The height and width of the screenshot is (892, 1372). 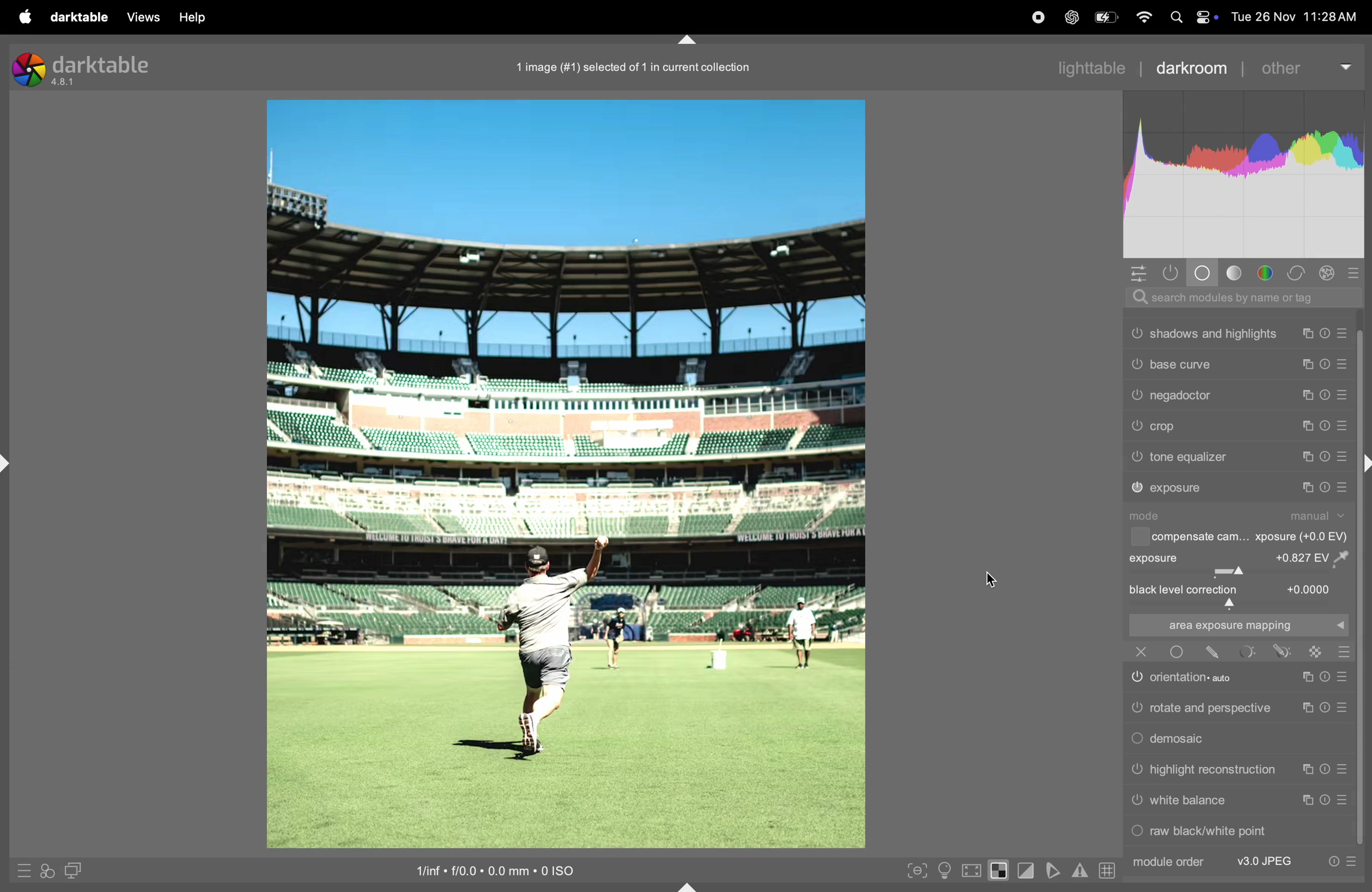 I want to click on expand or collapse , so click(x=1363, y=465).